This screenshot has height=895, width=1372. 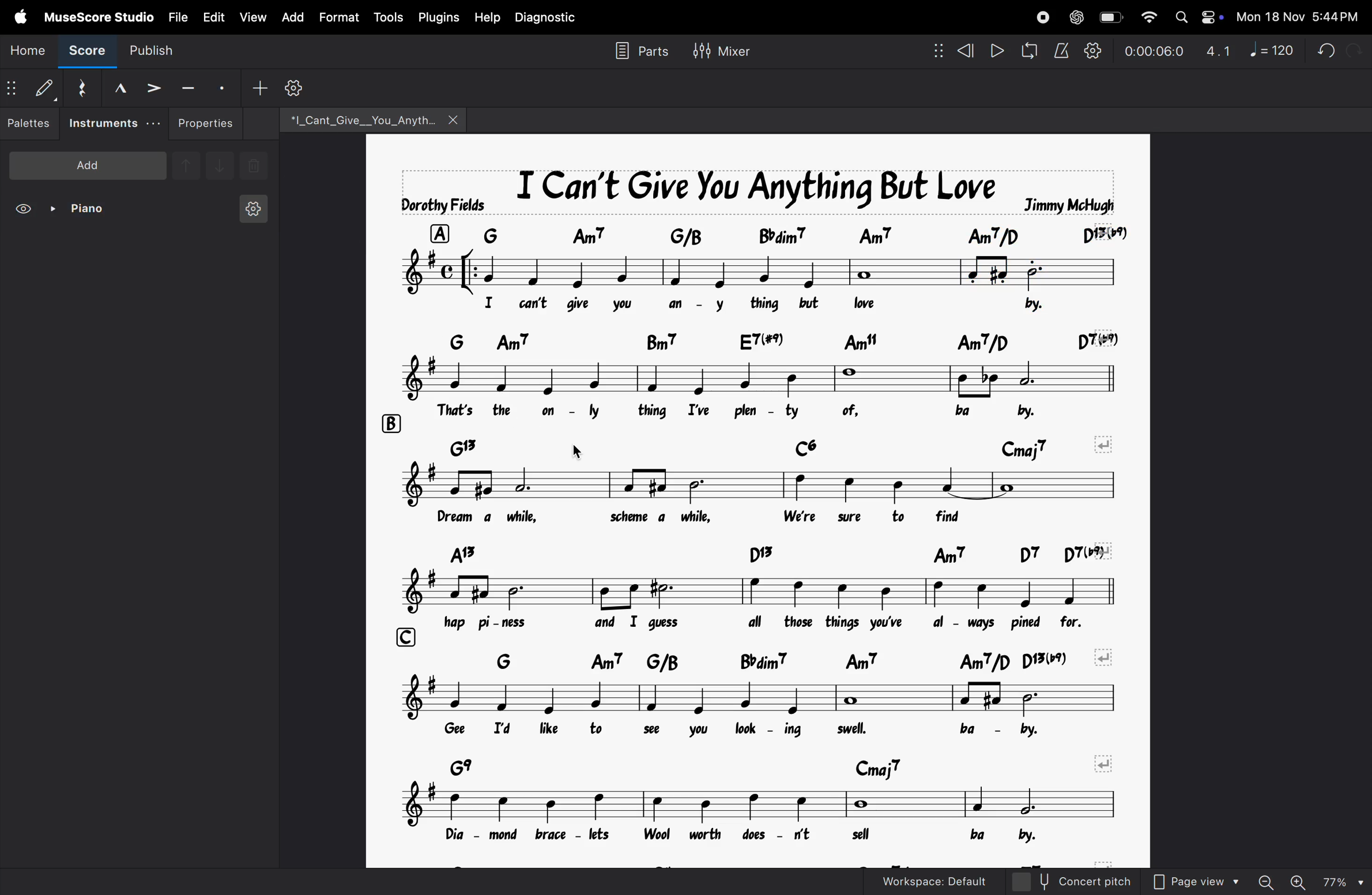 I want to click on score, so click(x=84, y=54).